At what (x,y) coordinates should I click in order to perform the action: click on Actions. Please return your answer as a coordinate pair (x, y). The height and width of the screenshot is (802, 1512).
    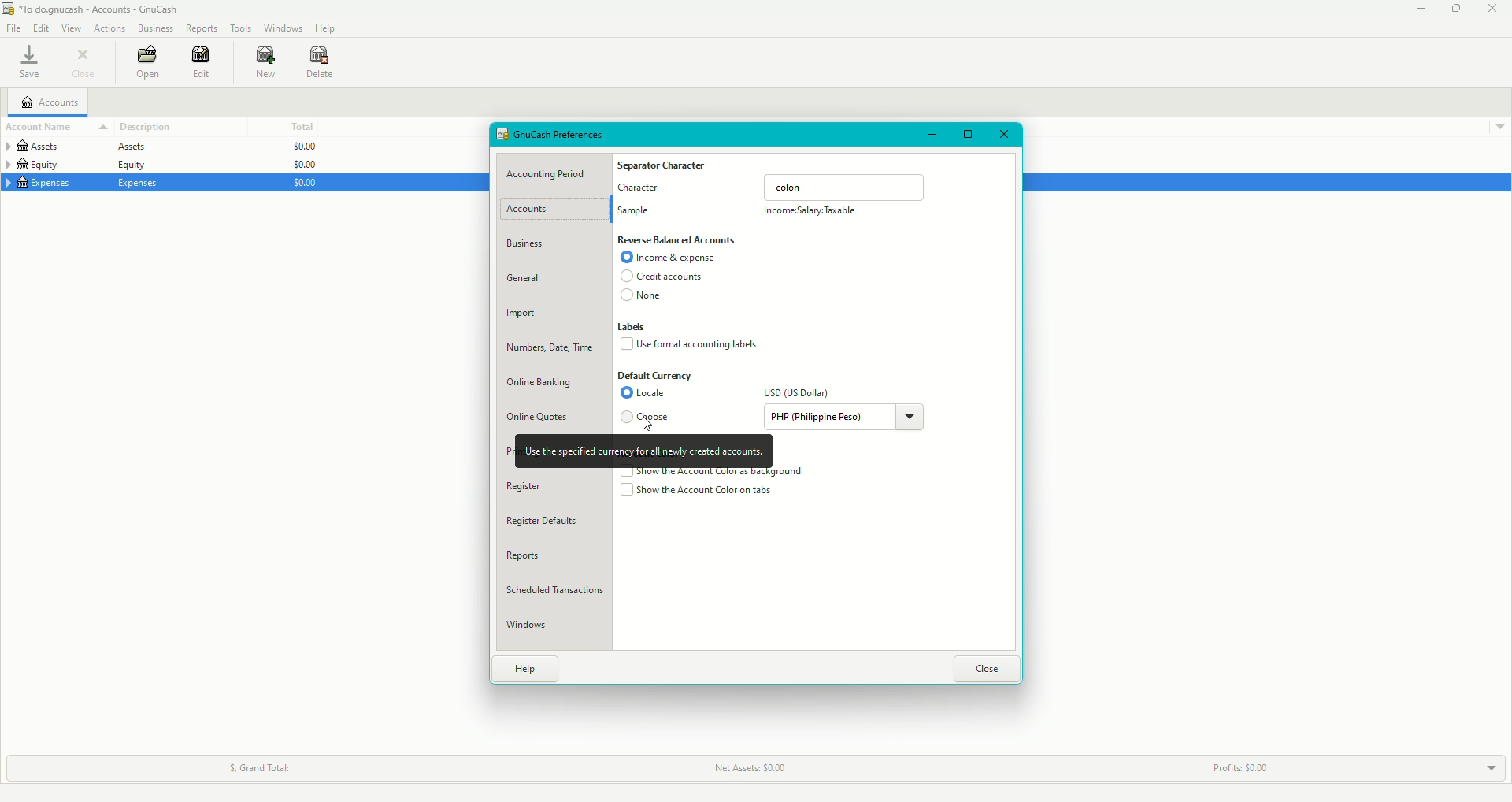
    Looking at the image, I should click on (111, 28).